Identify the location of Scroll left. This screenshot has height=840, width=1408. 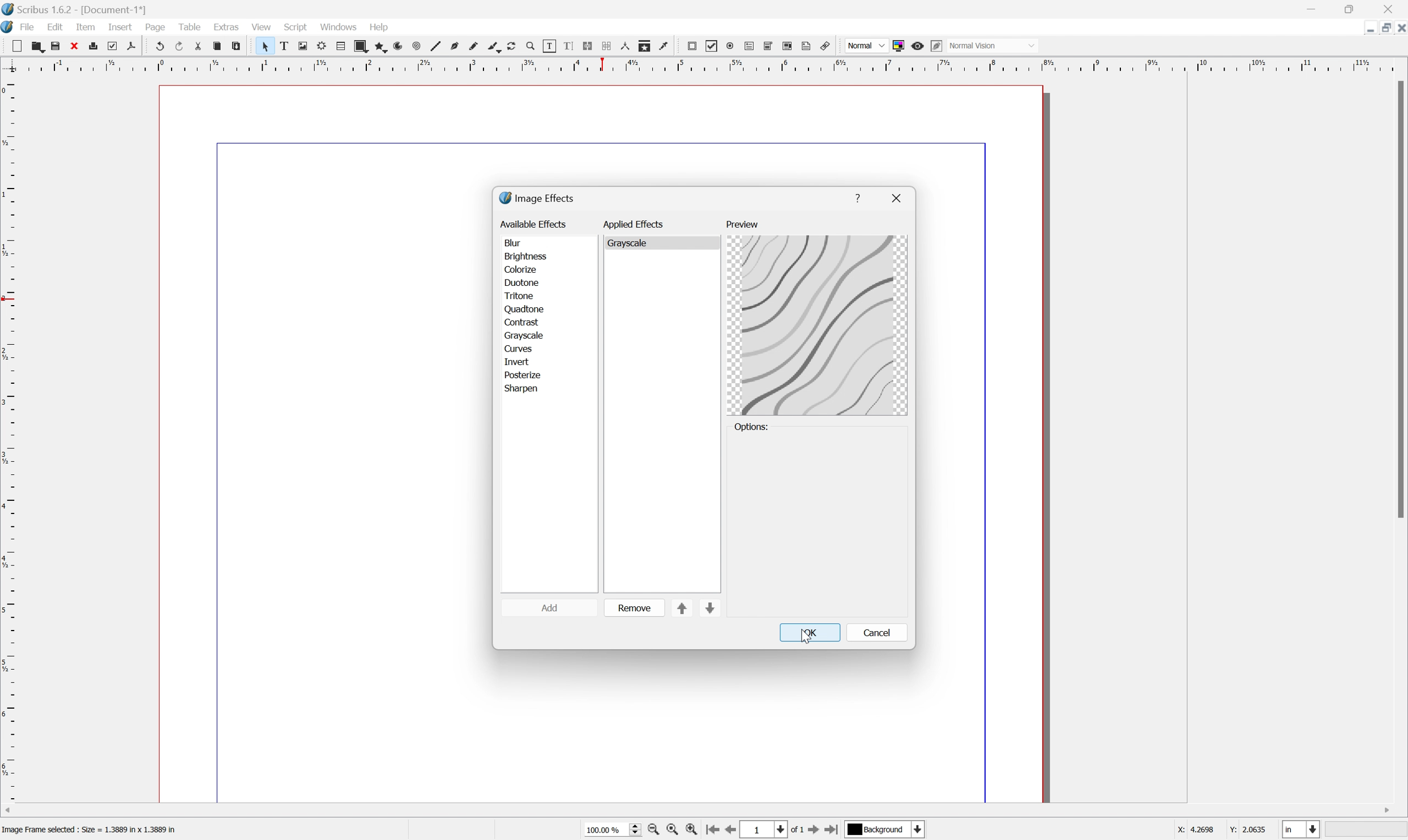
(10, 809).